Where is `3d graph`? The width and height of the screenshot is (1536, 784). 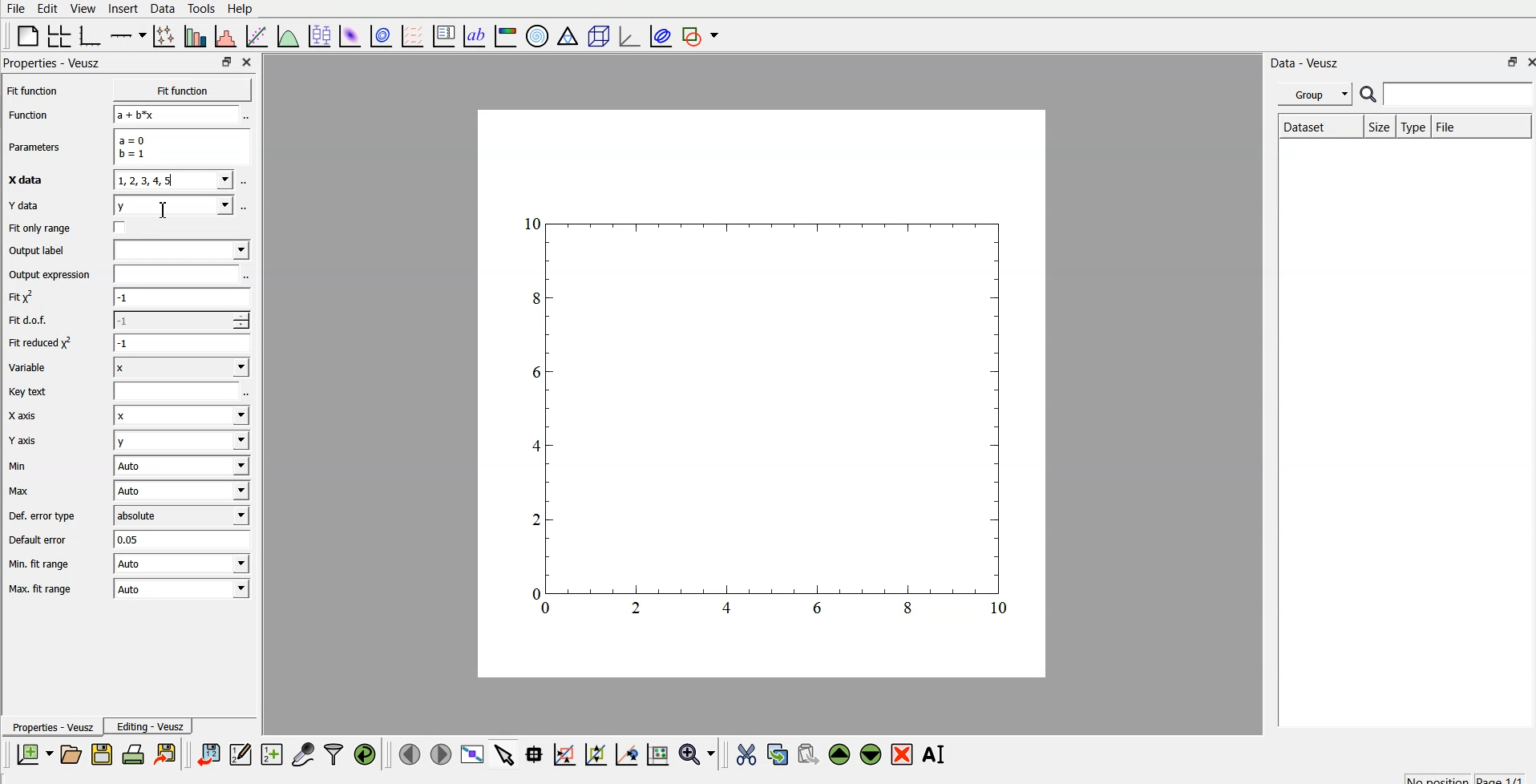 3d graph is located at coordinates (632, 37).